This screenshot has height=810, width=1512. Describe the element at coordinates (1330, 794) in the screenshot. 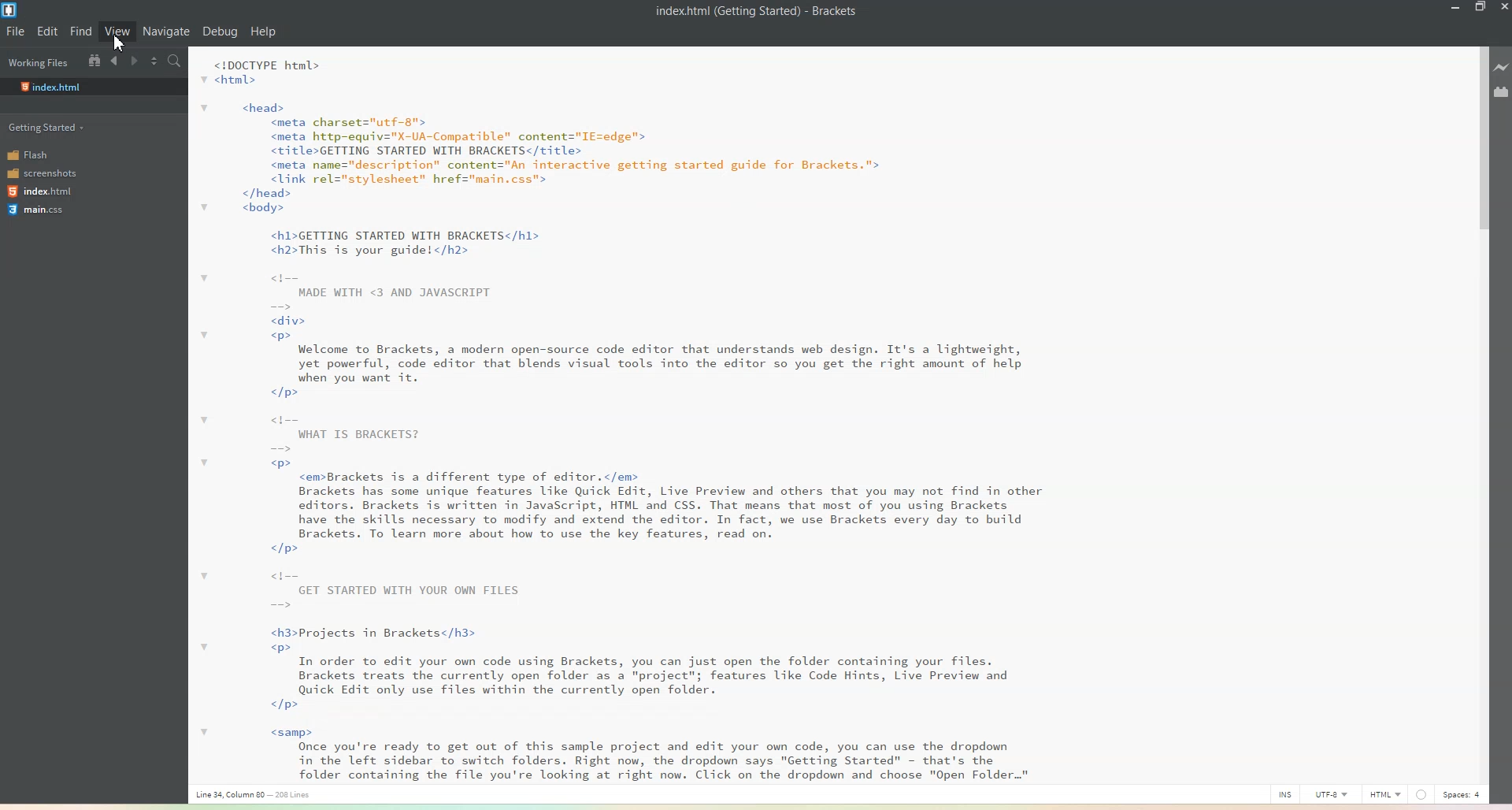

I see `UTF-8` at that location.